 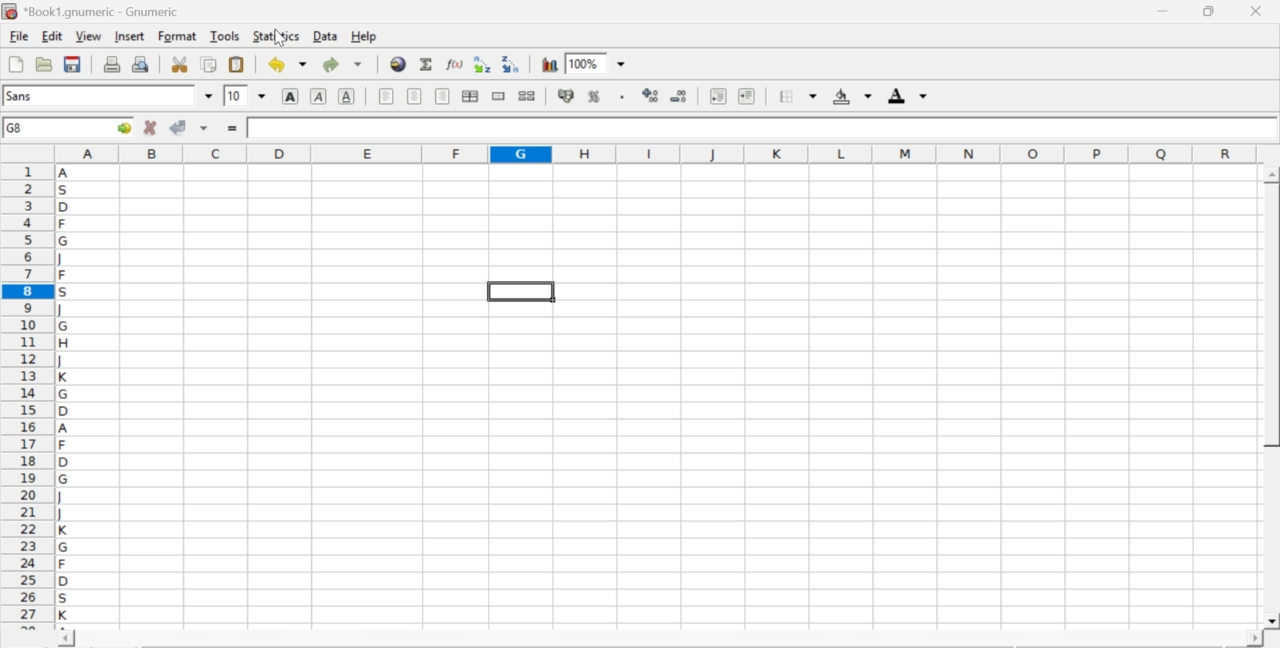 What do you see at coordinates (210, 64) in the screenshot?
I see `copy` at bounding box center [210, 64].